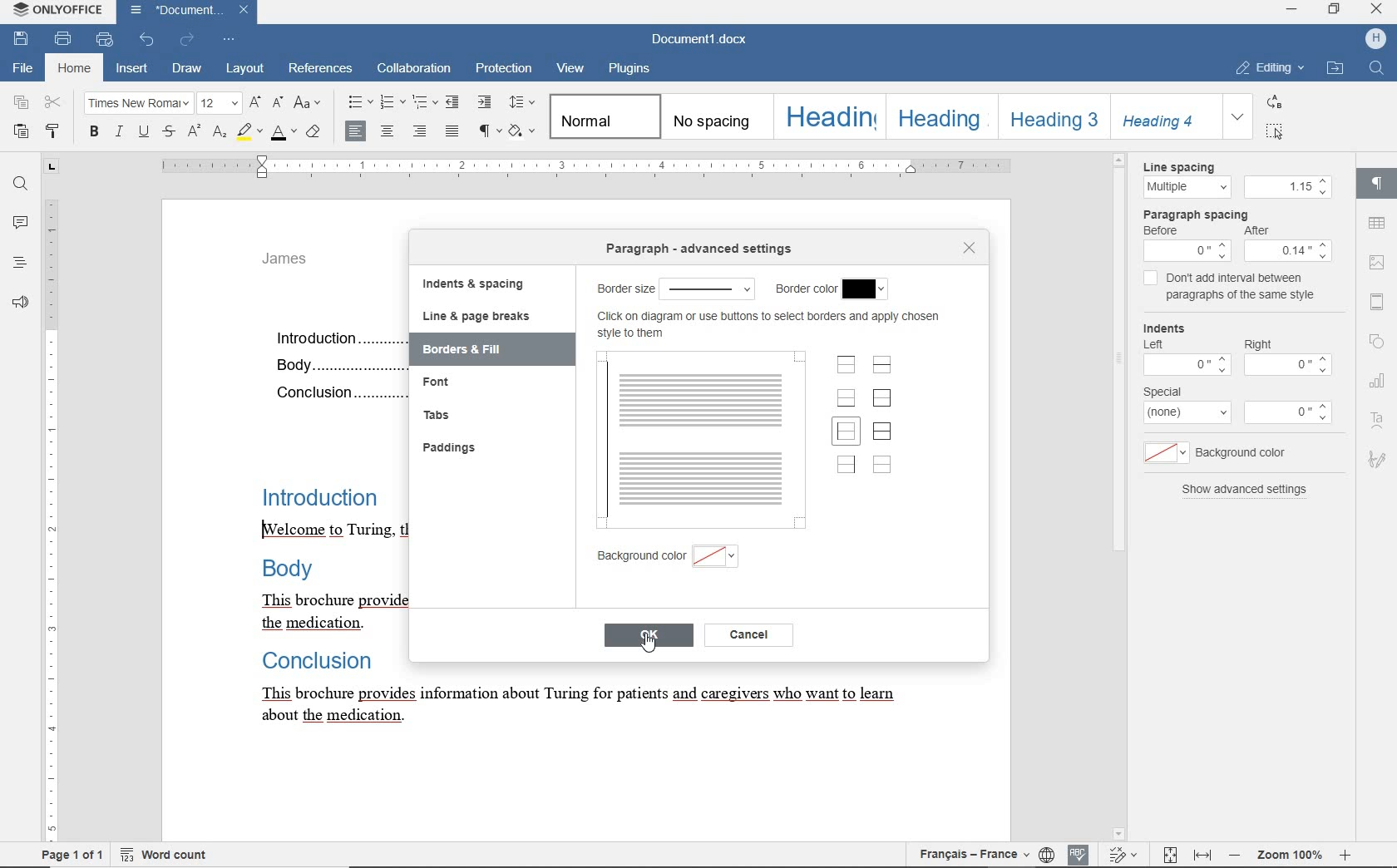 The width and height of the screenshot is (1397, 868). Describe the element at coordinates (52, 131) in the screenshot. I see `copy style` at that location.